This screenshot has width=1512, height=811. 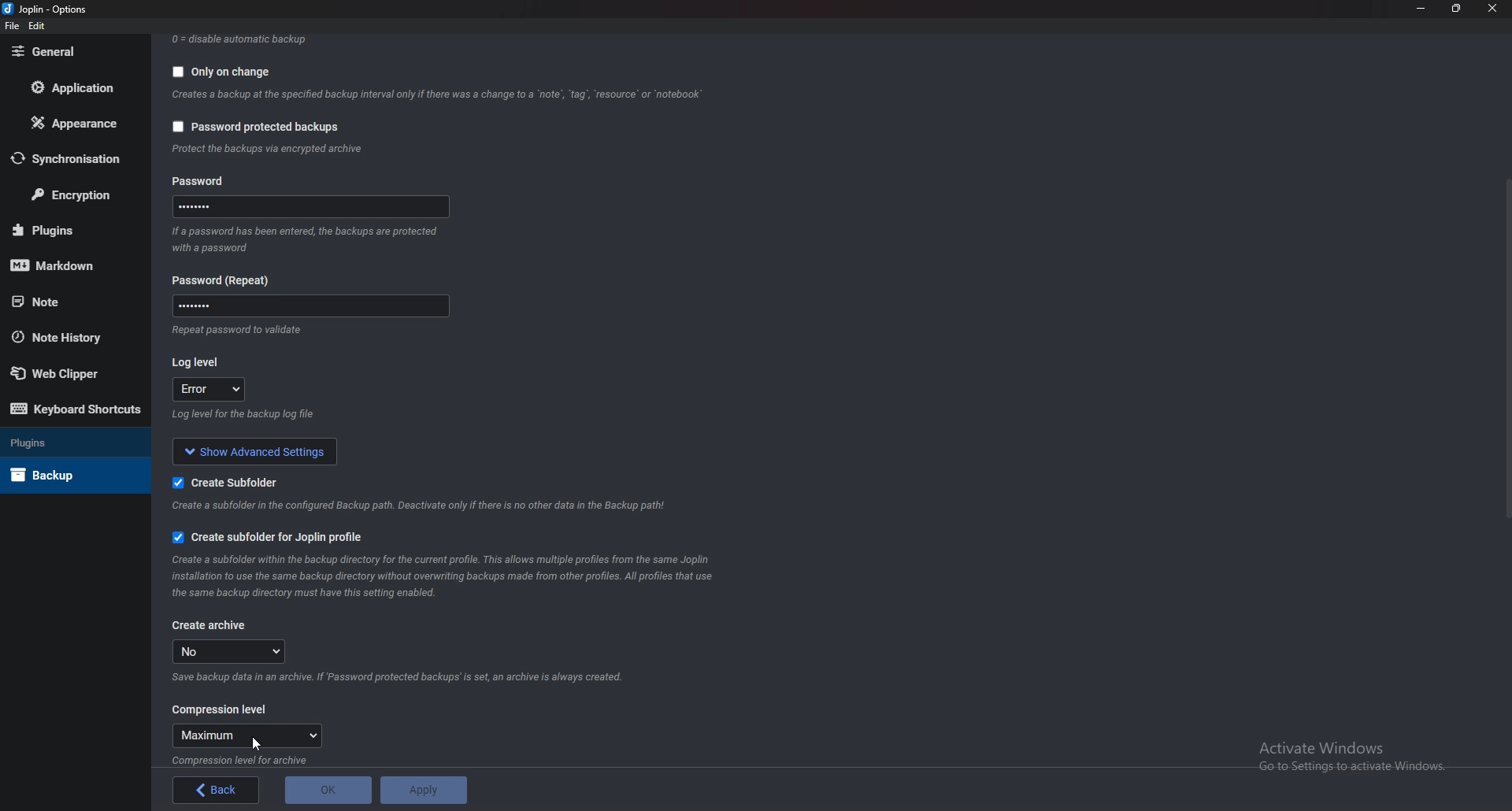 I want to click on Log level, so click(x=200, y=362).